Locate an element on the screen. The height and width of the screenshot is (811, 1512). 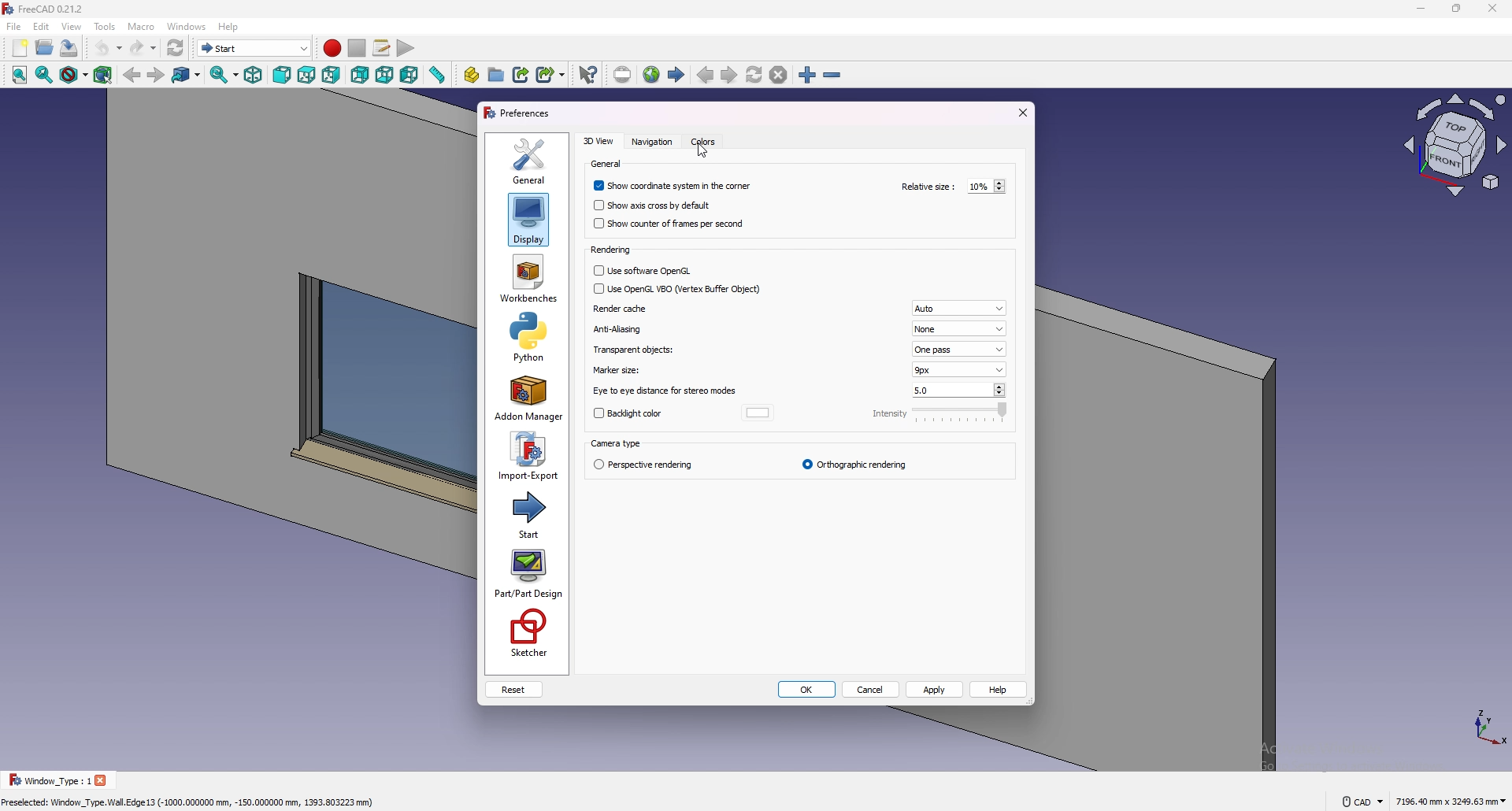
bounding box is located at coordinates (104, 75).